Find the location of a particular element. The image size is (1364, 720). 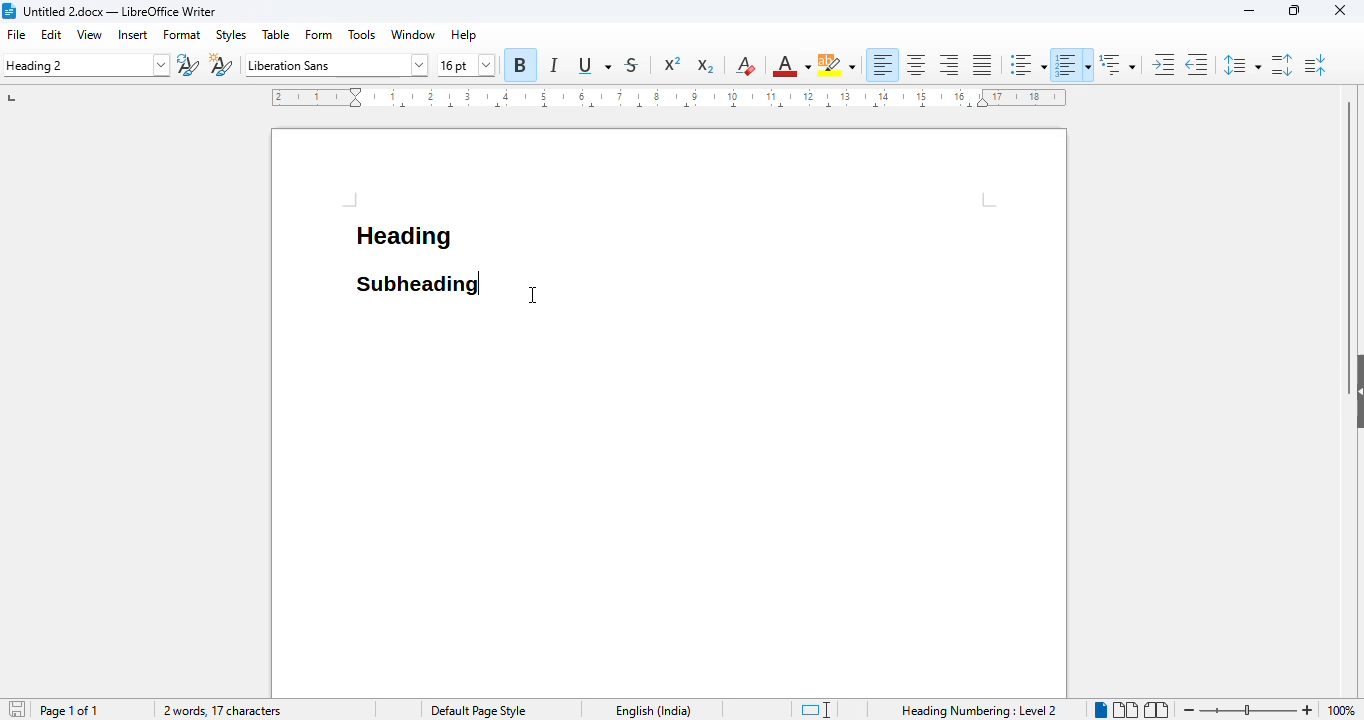

heading numbering: level 2 is located at coordinates (978, 710).